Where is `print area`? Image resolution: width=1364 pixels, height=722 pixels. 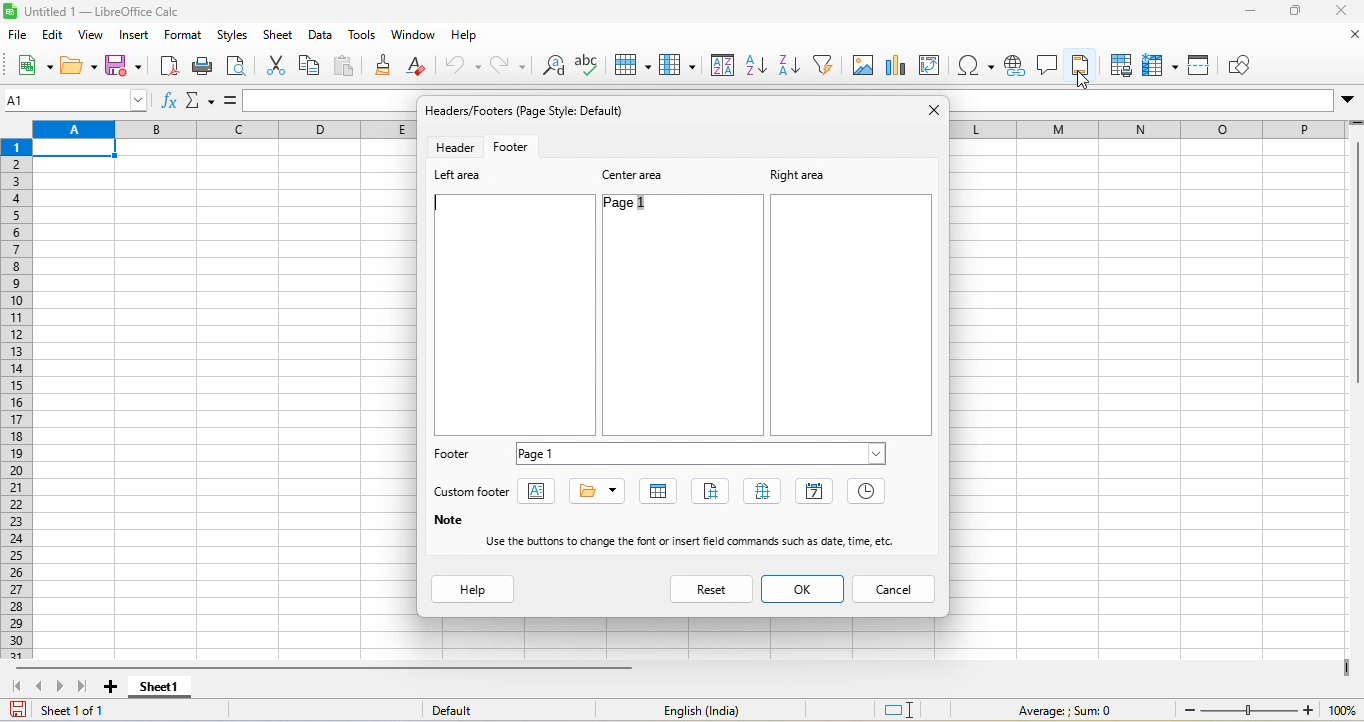
print area is located at coordinates (1119, 65).